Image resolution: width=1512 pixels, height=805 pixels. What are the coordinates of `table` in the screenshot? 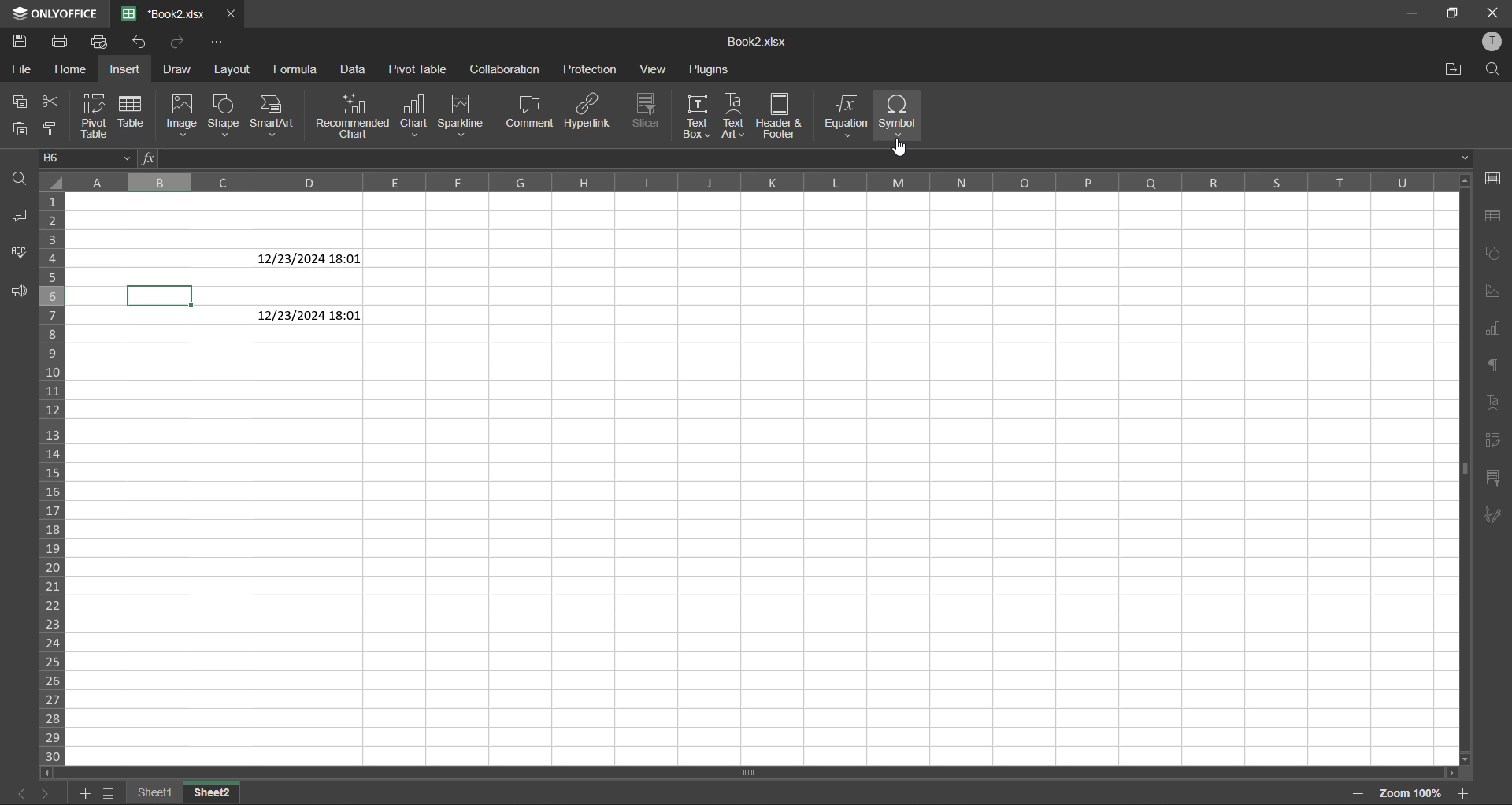 It's located at (131, 110).